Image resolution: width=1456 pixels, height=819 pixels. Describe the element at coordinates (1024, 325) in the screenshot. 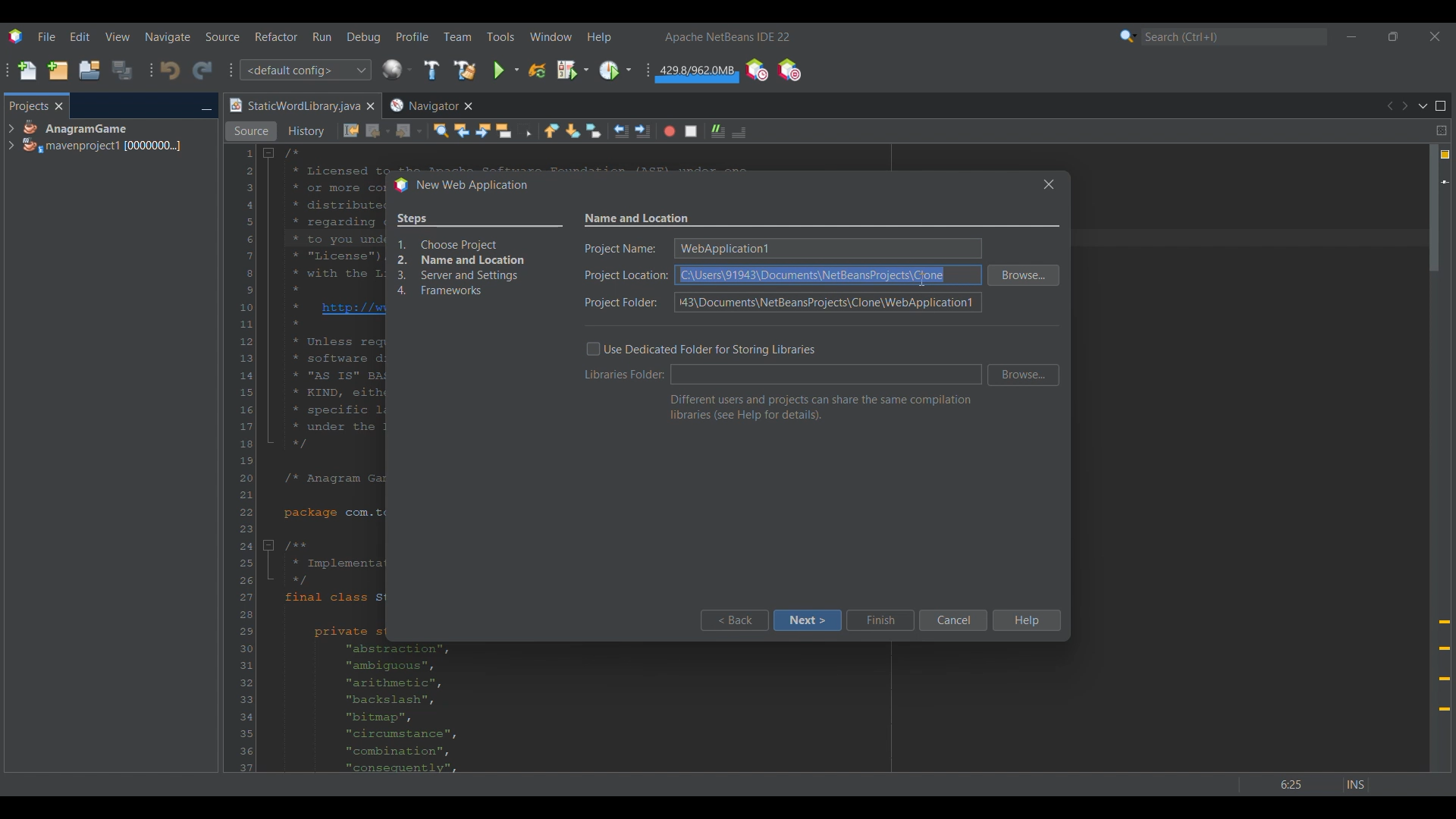

I see `Browse folder for respective detail` at that location.